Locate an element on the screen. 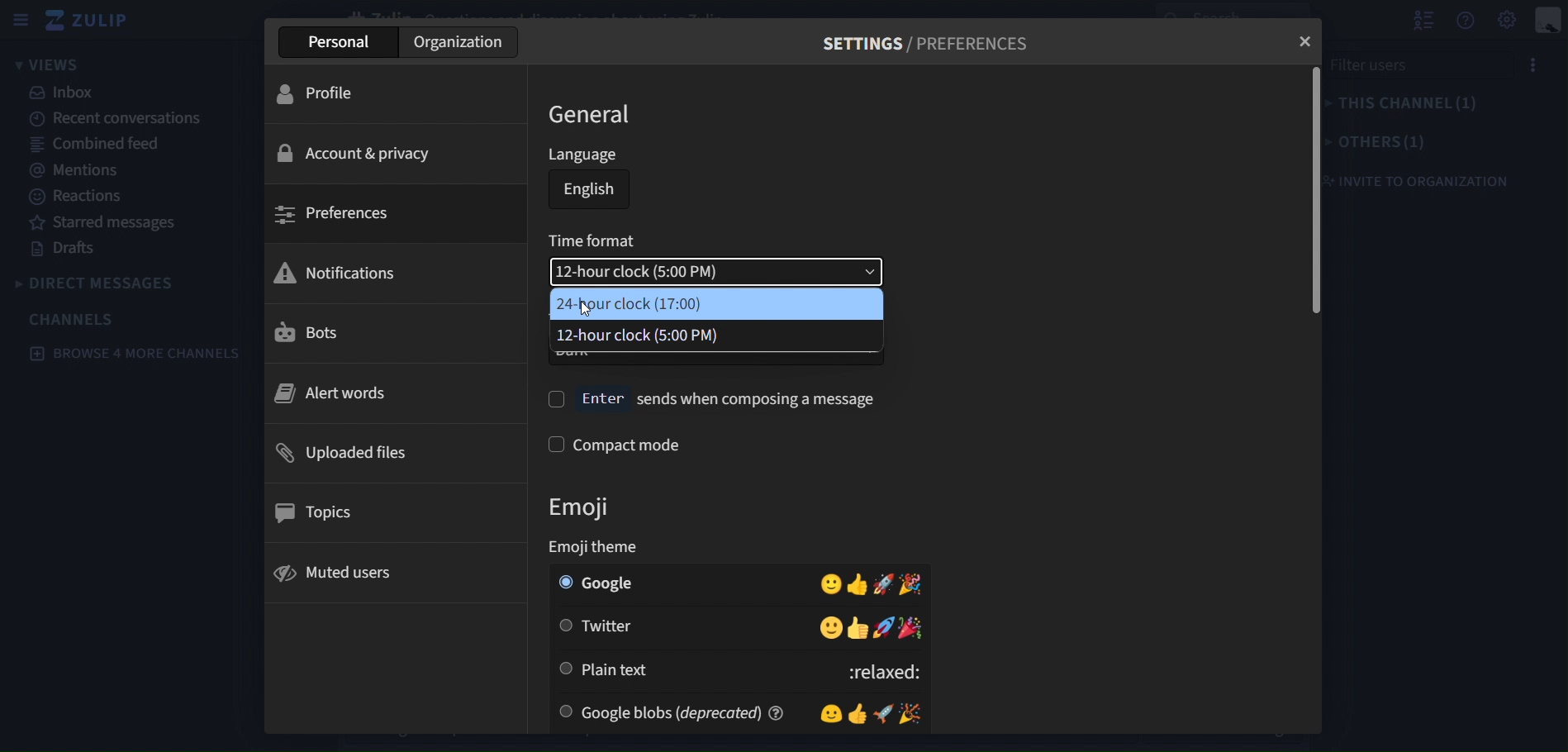 Image resolution: width=1568 pixels, height=752 pixels. recent conversations is located at coordinates (128, 121).